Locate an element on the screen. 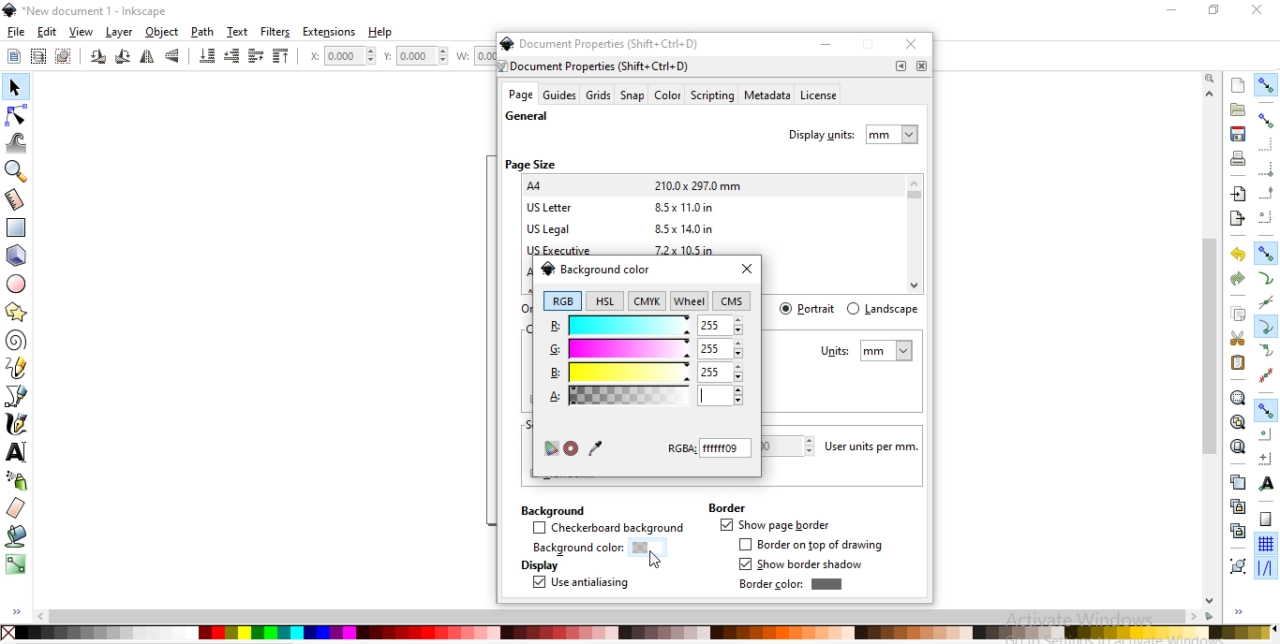 The image size is (1280, 644). minimize is located at coordinates (1169, 8).